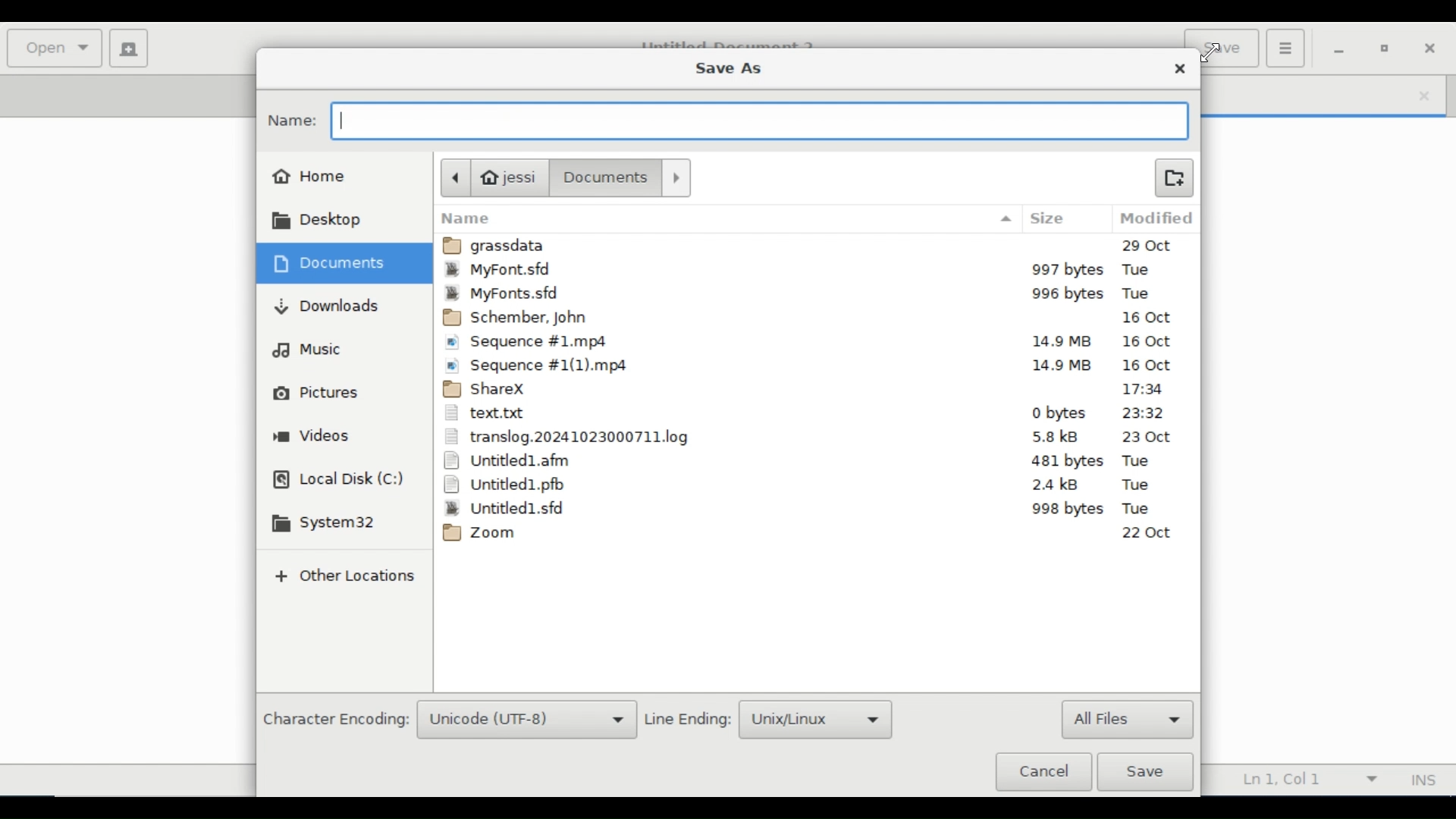 This screenshot has width=1456, height=819. I want to click on Pictures, so click(312, 392).